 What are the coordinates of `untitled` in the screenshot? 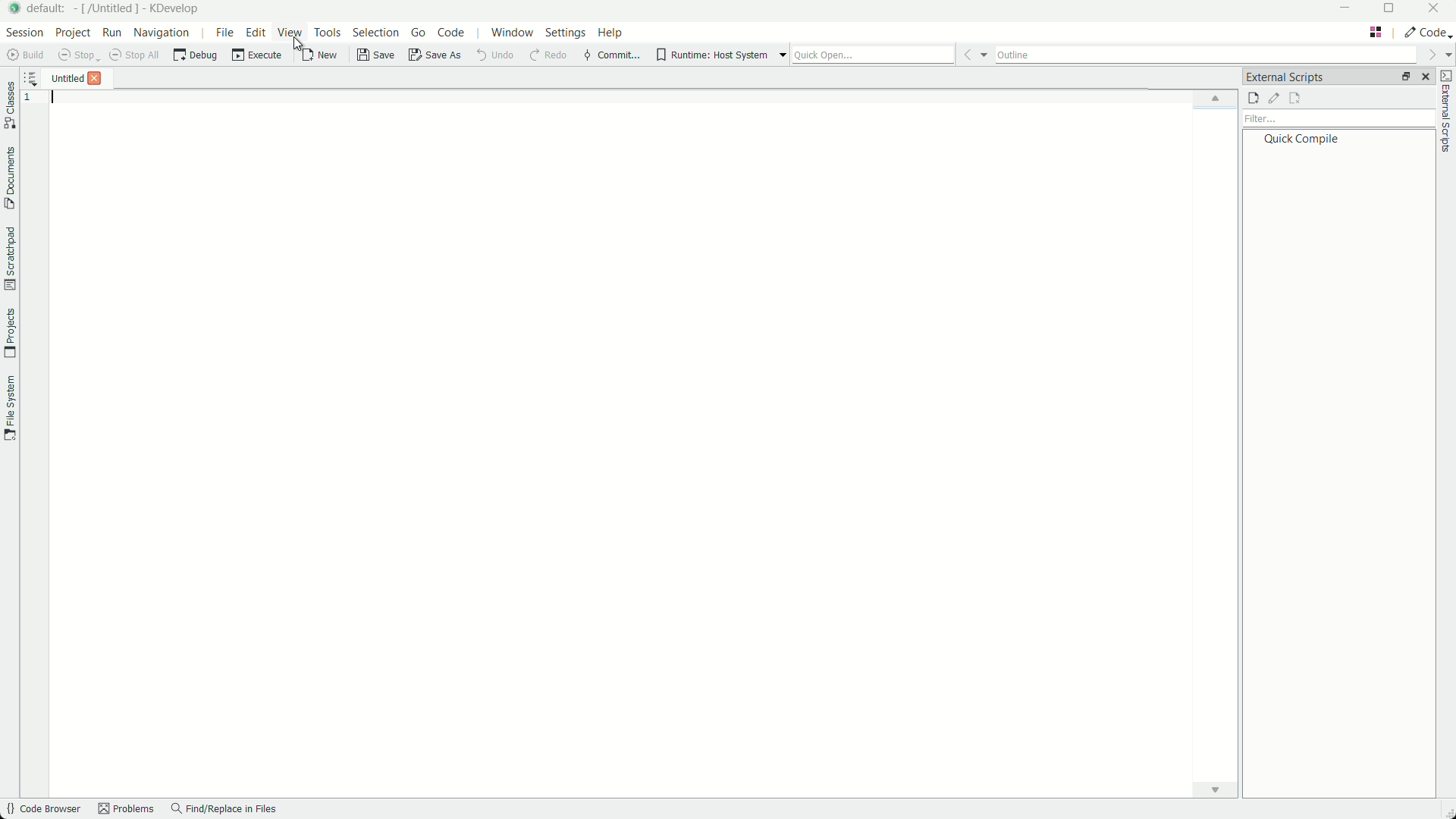 It's located at (64, 78).